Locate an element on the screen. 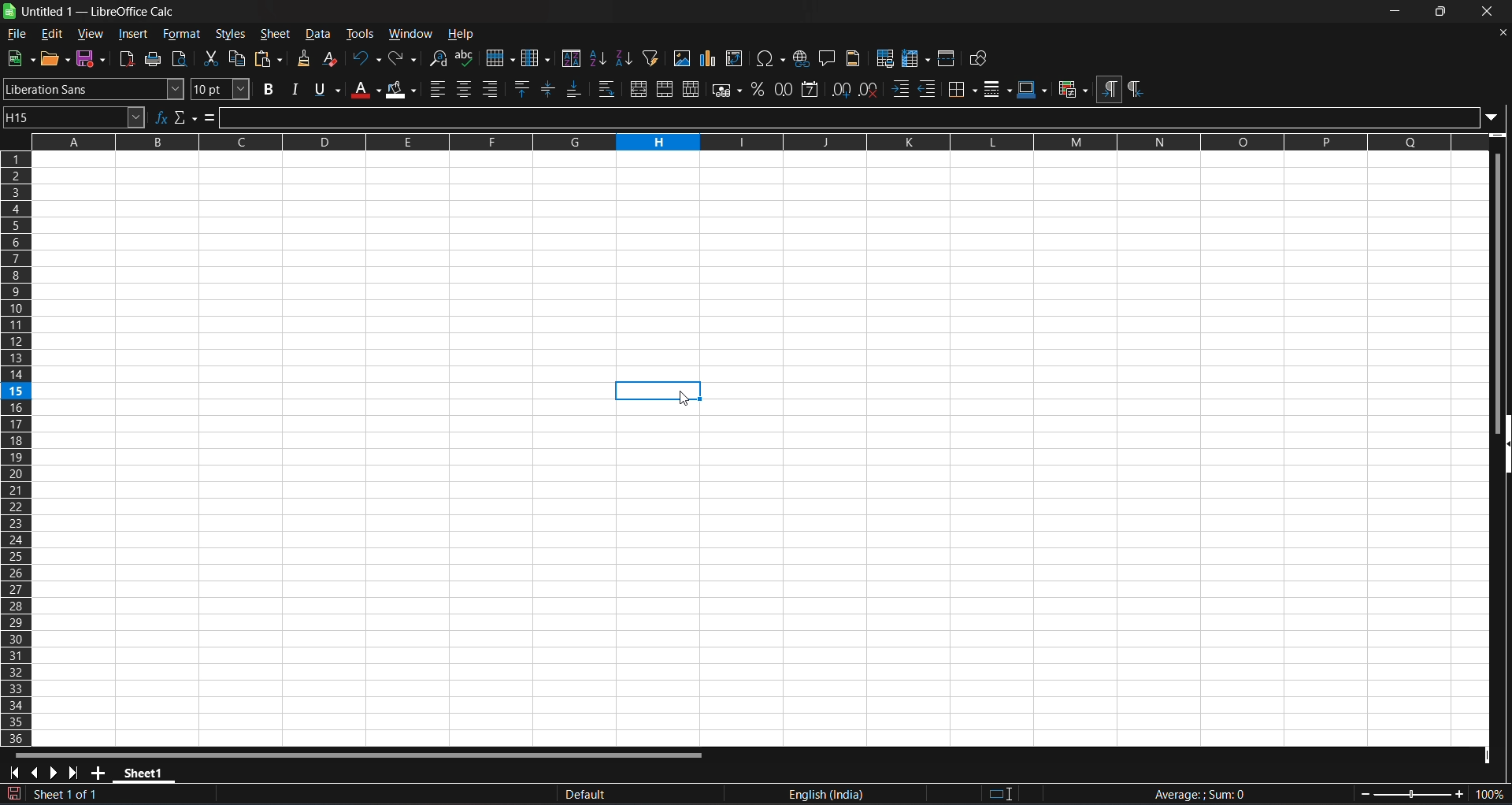 The image size is (1512, 805). tools is located at coordinates (361, 35).